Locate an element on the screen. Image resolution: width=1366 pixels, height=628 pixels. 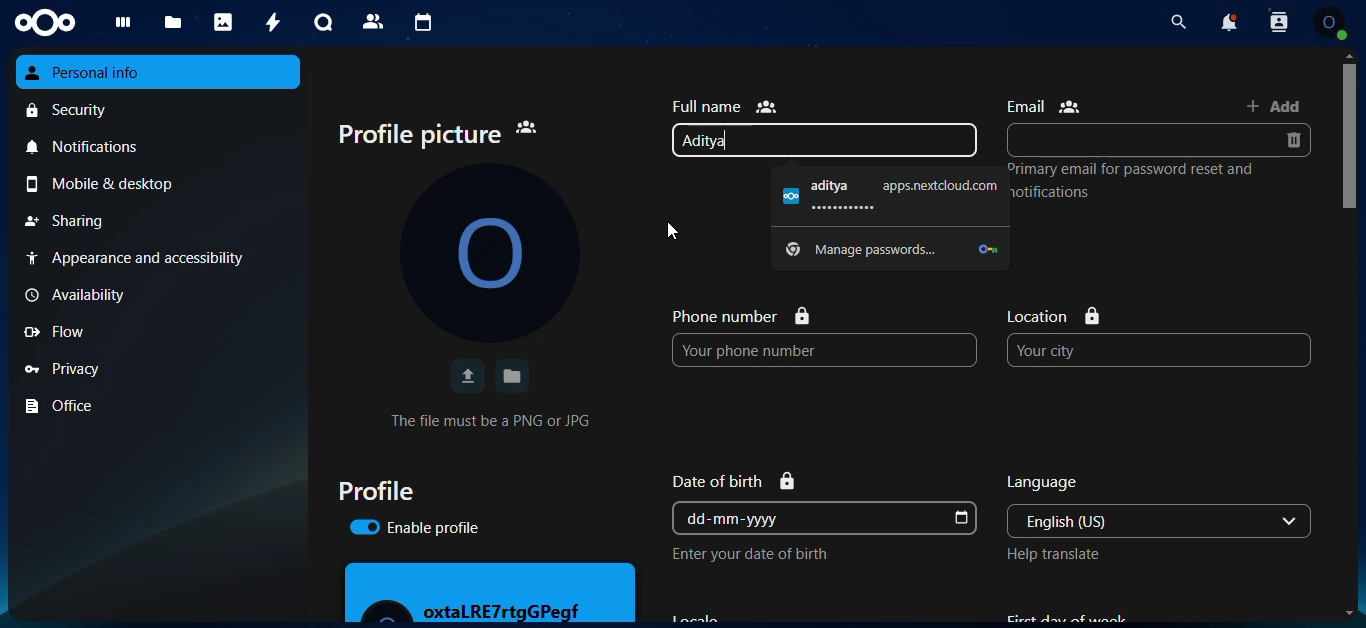
add is located at coordinates (1274, 105).